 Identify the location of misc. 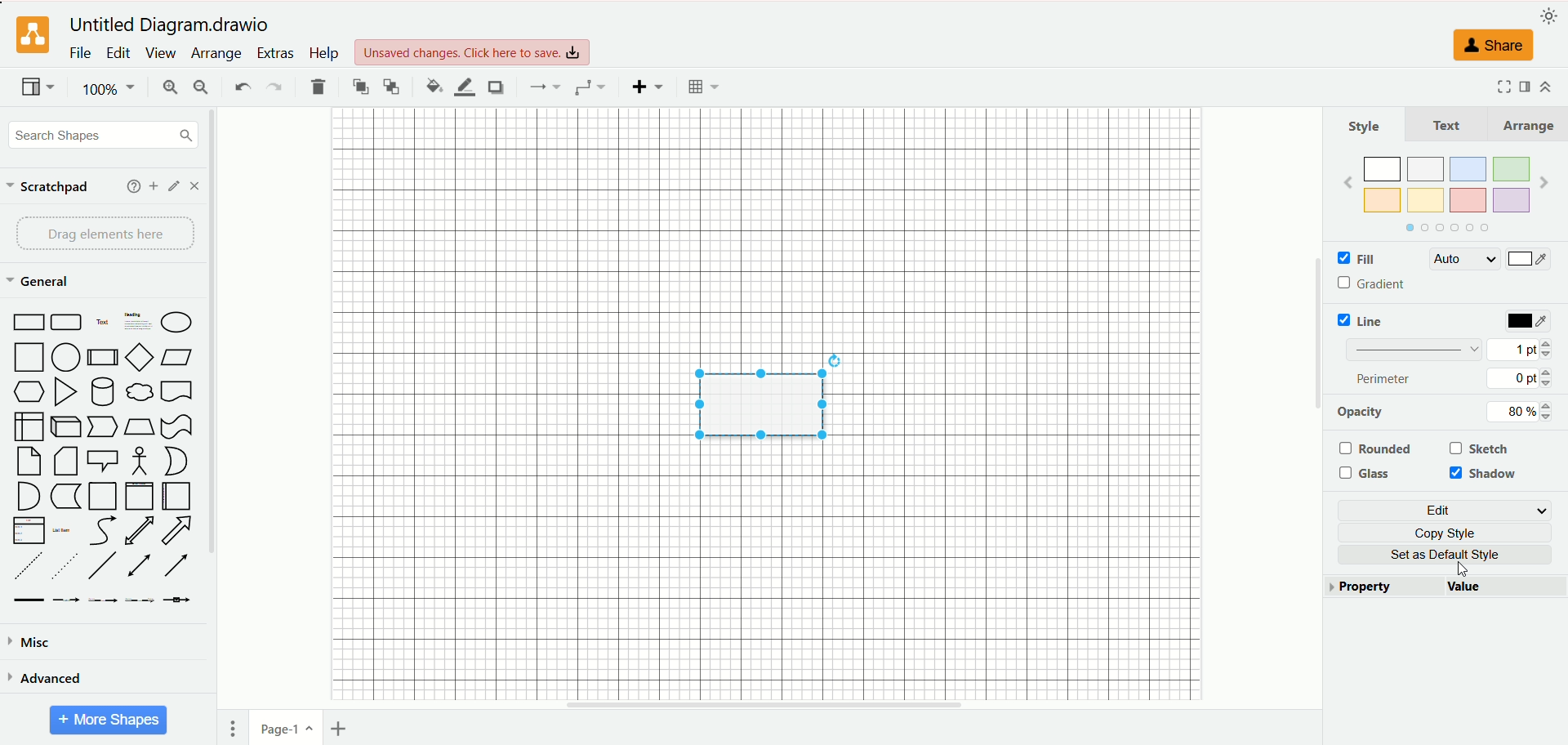
(31, 643).